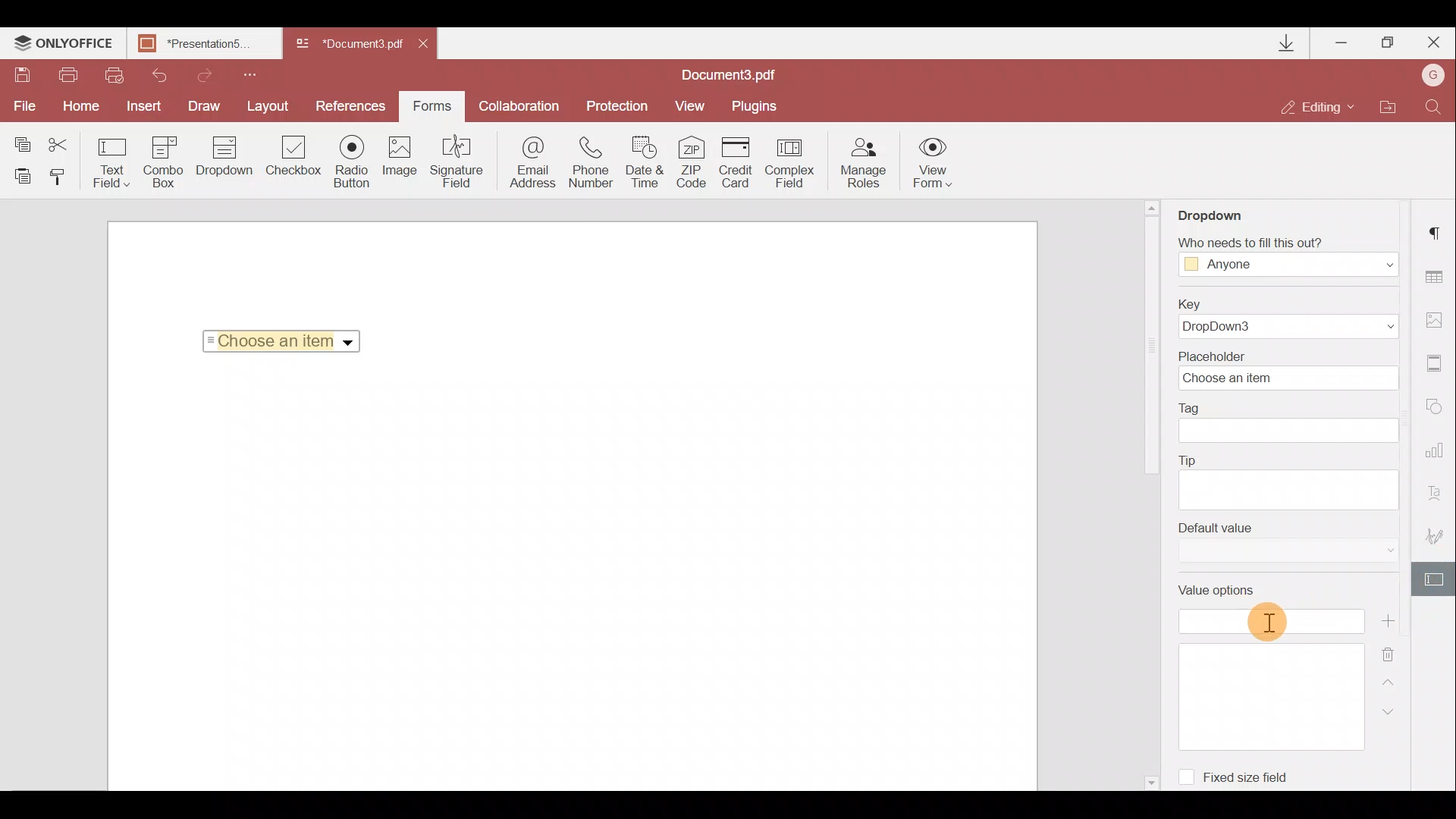  I want to click on Email address, so click(527, 166).